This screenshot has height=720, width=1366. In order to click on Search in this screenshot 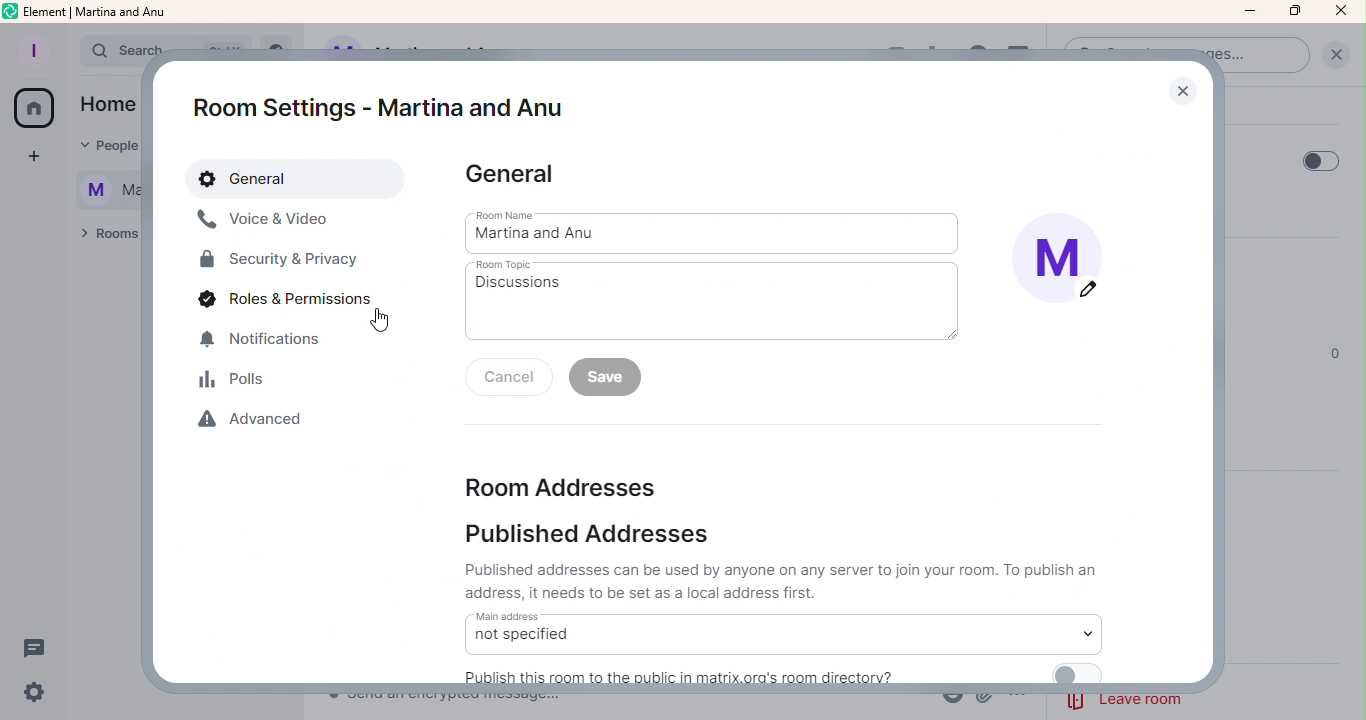, I will do `click(114, 53)`.